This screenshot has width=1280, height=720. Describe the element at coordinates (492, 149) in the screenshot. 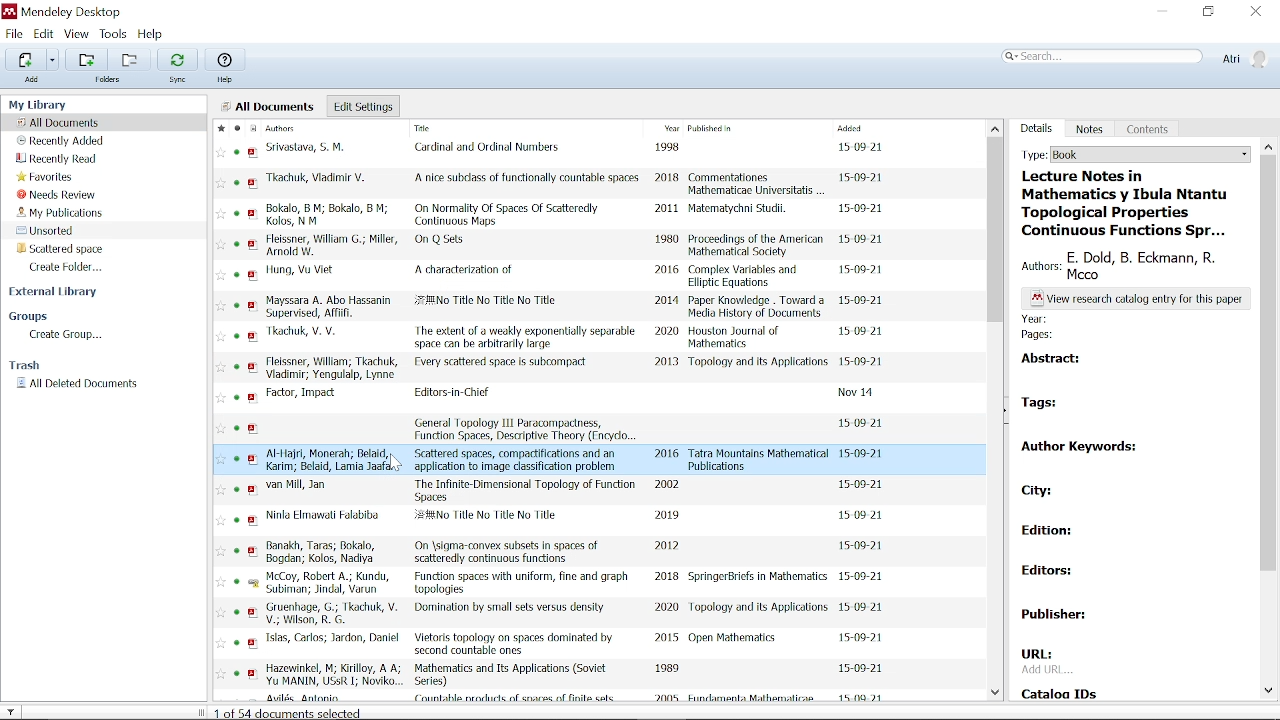

I see `title` at that location.